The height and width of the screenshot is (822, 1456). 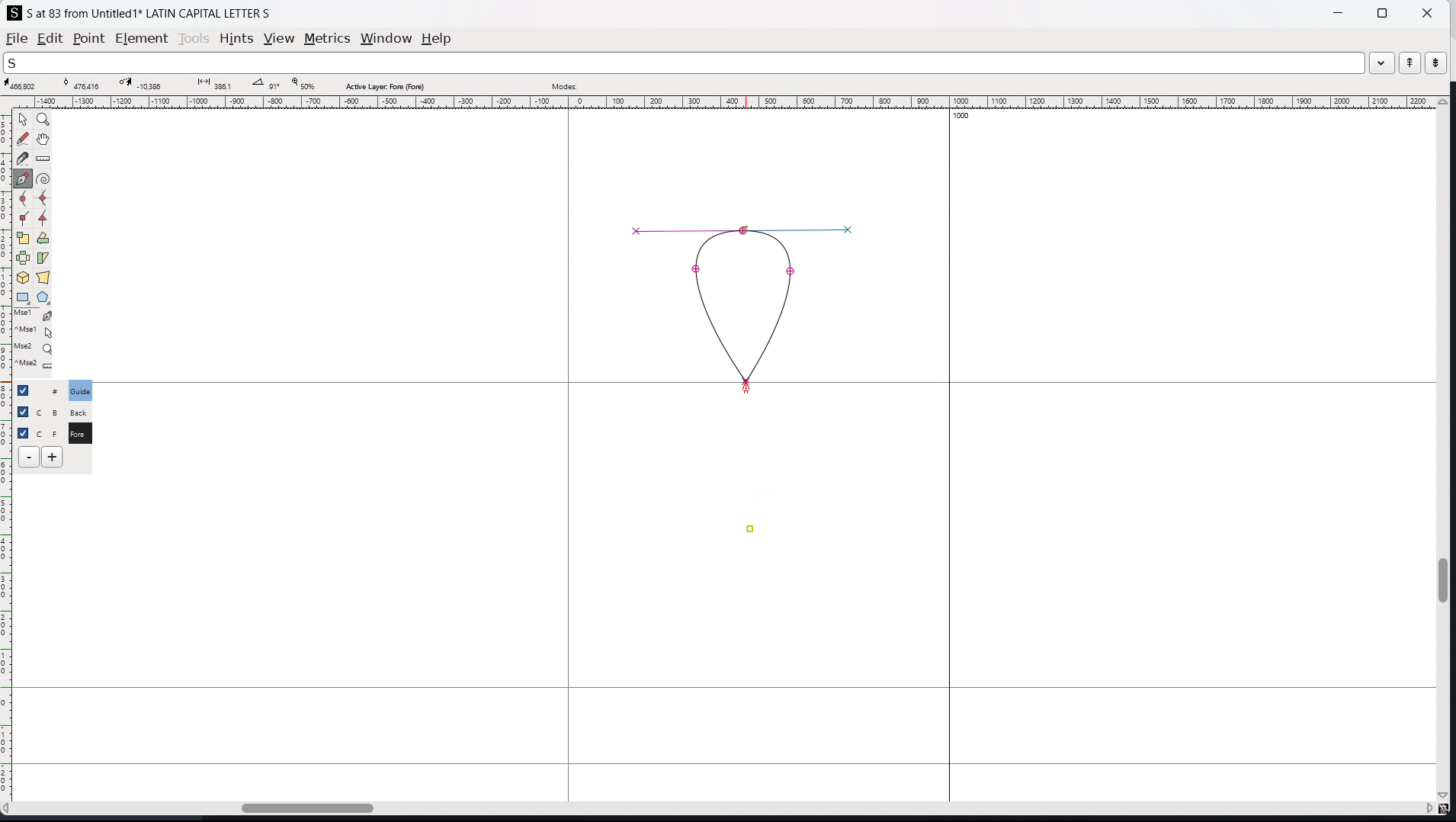 I want to click on angle between points, so click(x=266, y=83).